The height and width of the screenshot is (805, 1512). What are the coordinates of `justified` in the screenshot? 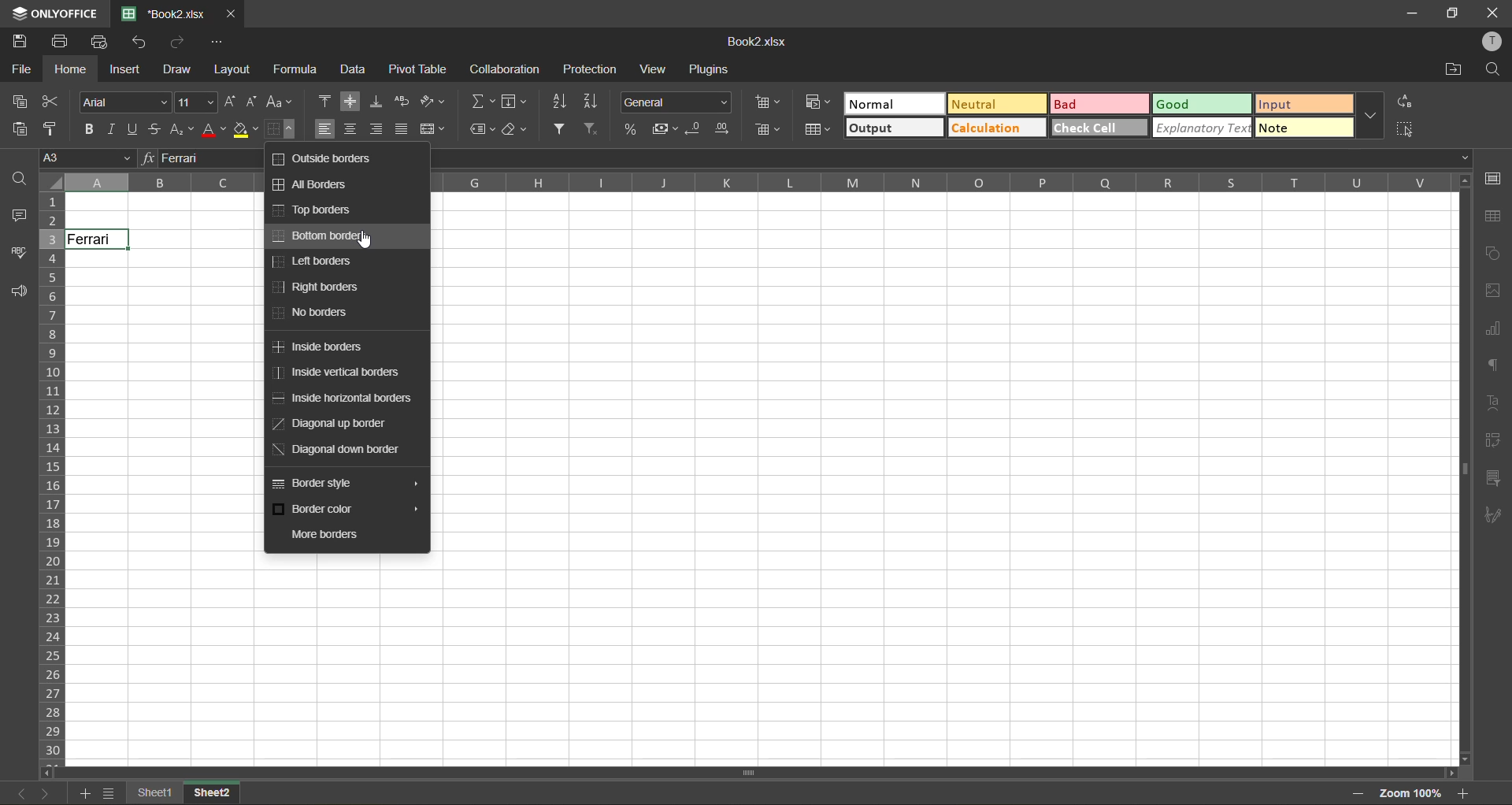 It's located at (399, 129).